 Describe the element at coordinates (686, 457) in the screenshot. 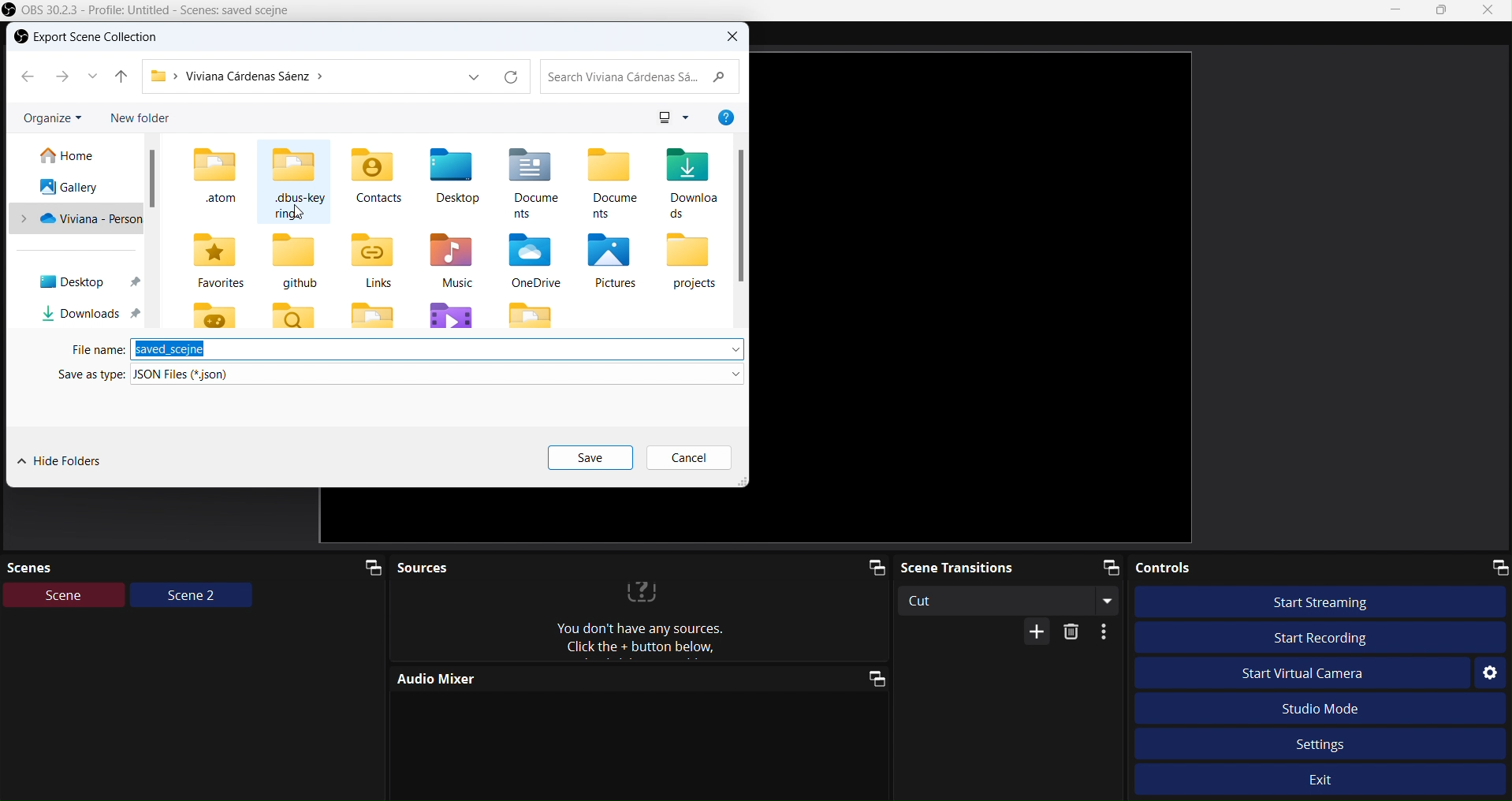

I see `Cancel` at that location.